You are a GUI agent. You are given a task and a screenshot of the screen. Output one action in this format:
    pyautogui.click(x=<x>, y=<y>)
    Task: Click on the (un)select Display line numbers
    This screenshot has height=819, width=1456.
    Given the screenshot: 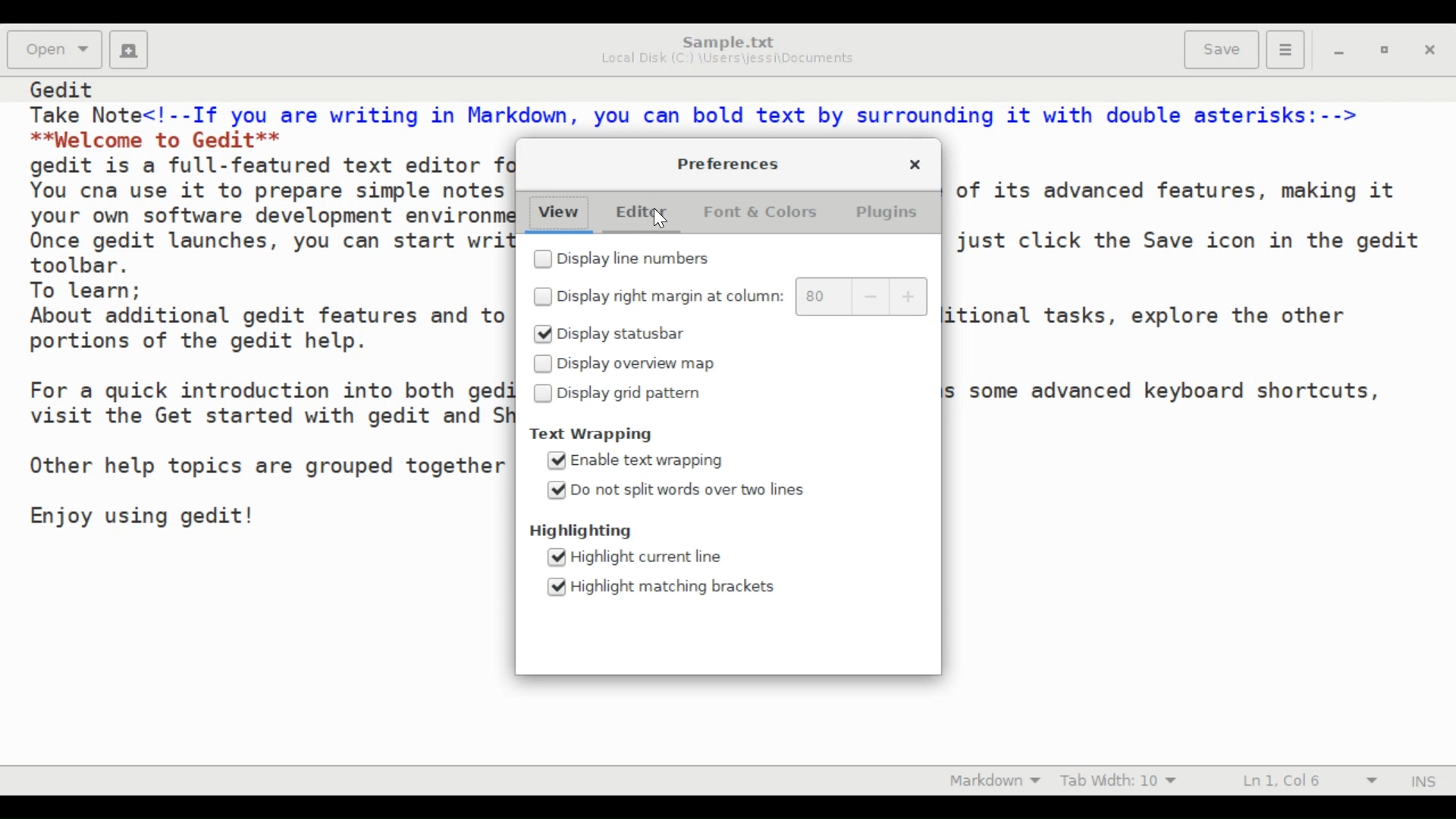 What is the action you would take?
    pyautogui.click(x=630, y=260)
    